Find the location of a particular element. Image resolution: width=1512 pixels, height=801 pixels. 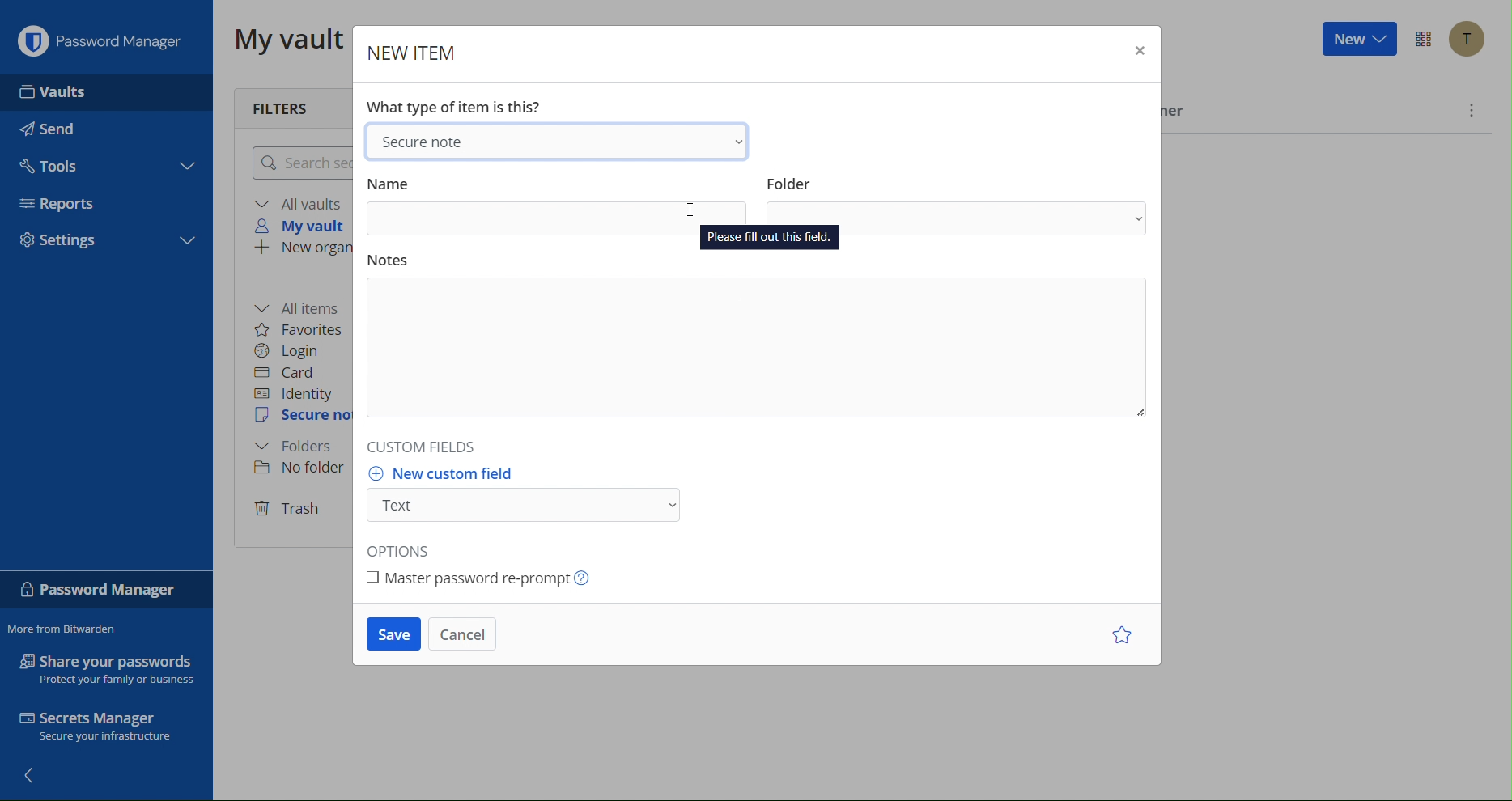

Notes is located at coordinates (755, 343).